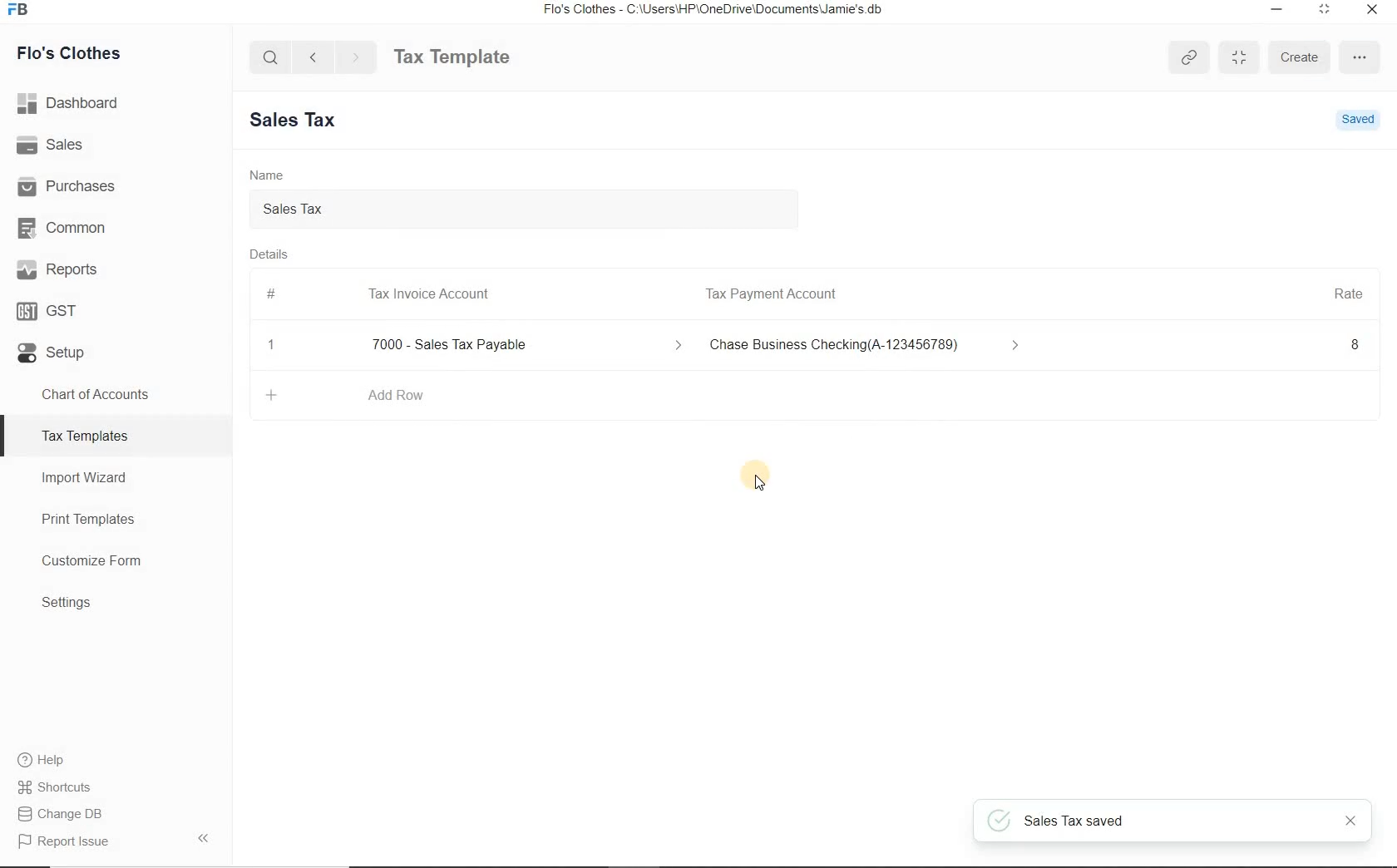 Image resolution: width=1397 pixels, height=868 pixels. Describe the element at coordinates (712, 9) in the screenshot. I see `Flo's Clothes - C:\Users\HP\OneDrive\Documents\Jamie's db` at that location.